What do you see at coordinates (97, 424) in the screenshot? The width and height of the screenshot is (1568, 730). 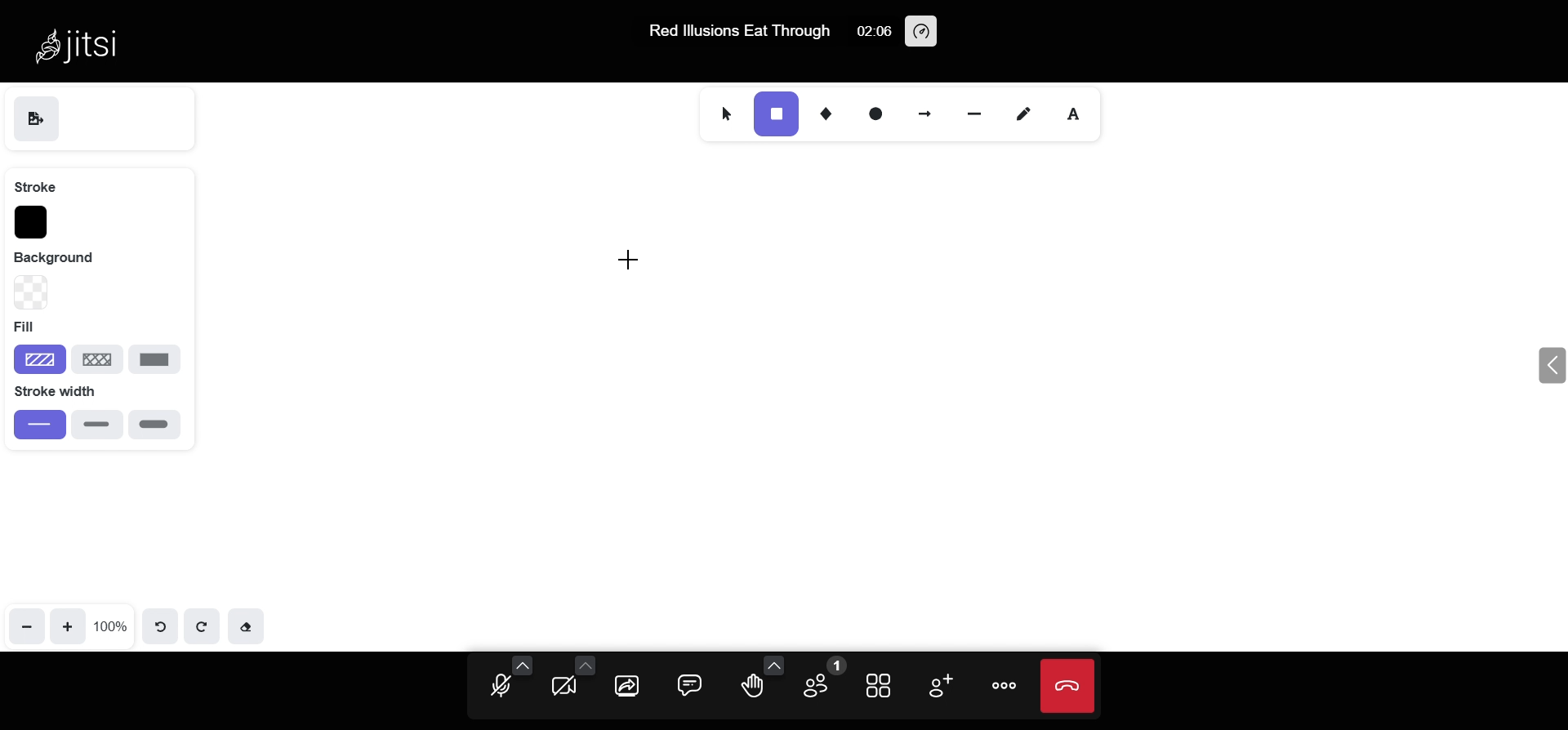 I see `bold` at bounding box center [97, 424].